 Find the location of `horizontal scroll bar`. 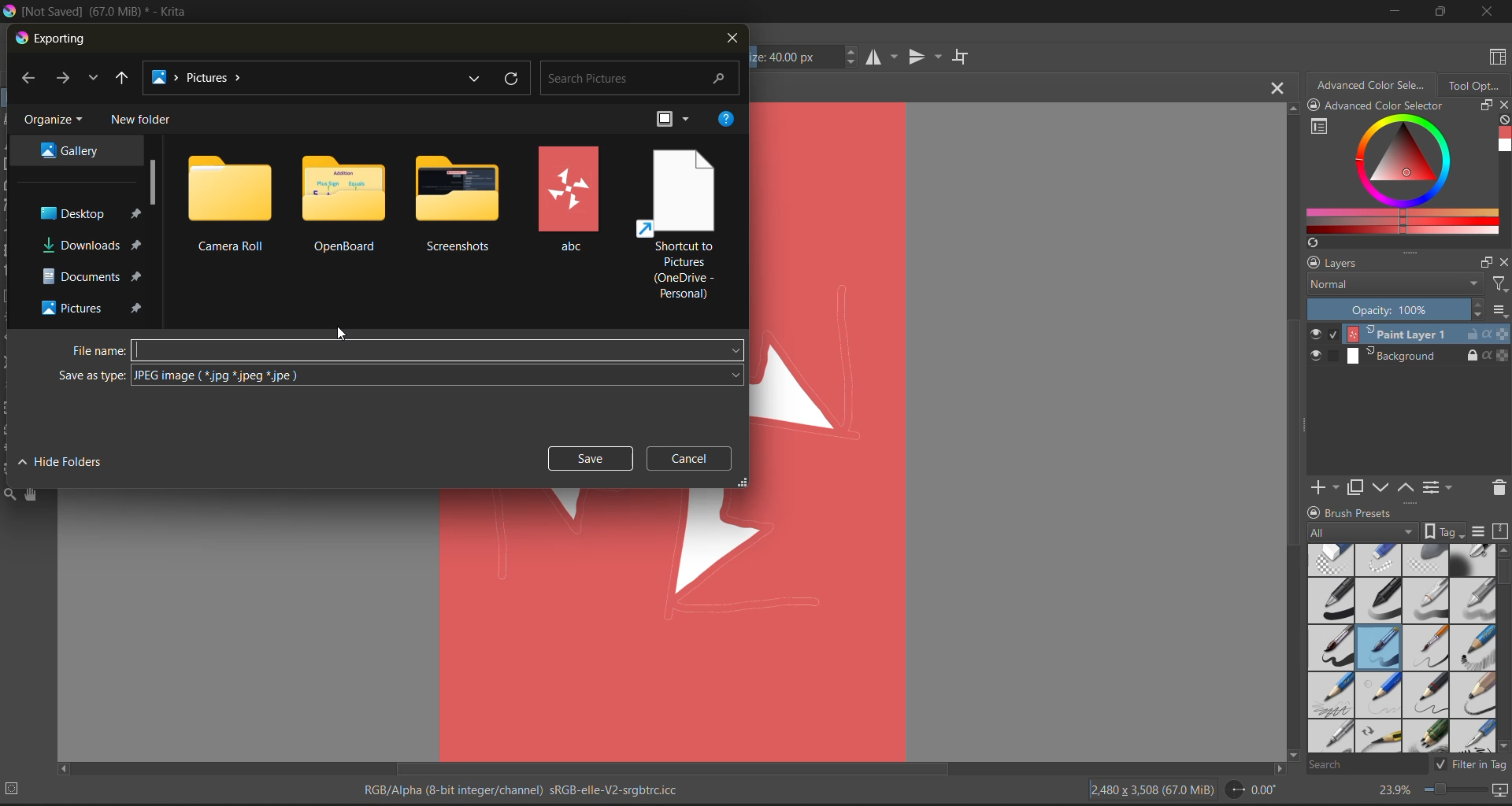

horizontal scroll bar is located at coordinates (1503, 574).